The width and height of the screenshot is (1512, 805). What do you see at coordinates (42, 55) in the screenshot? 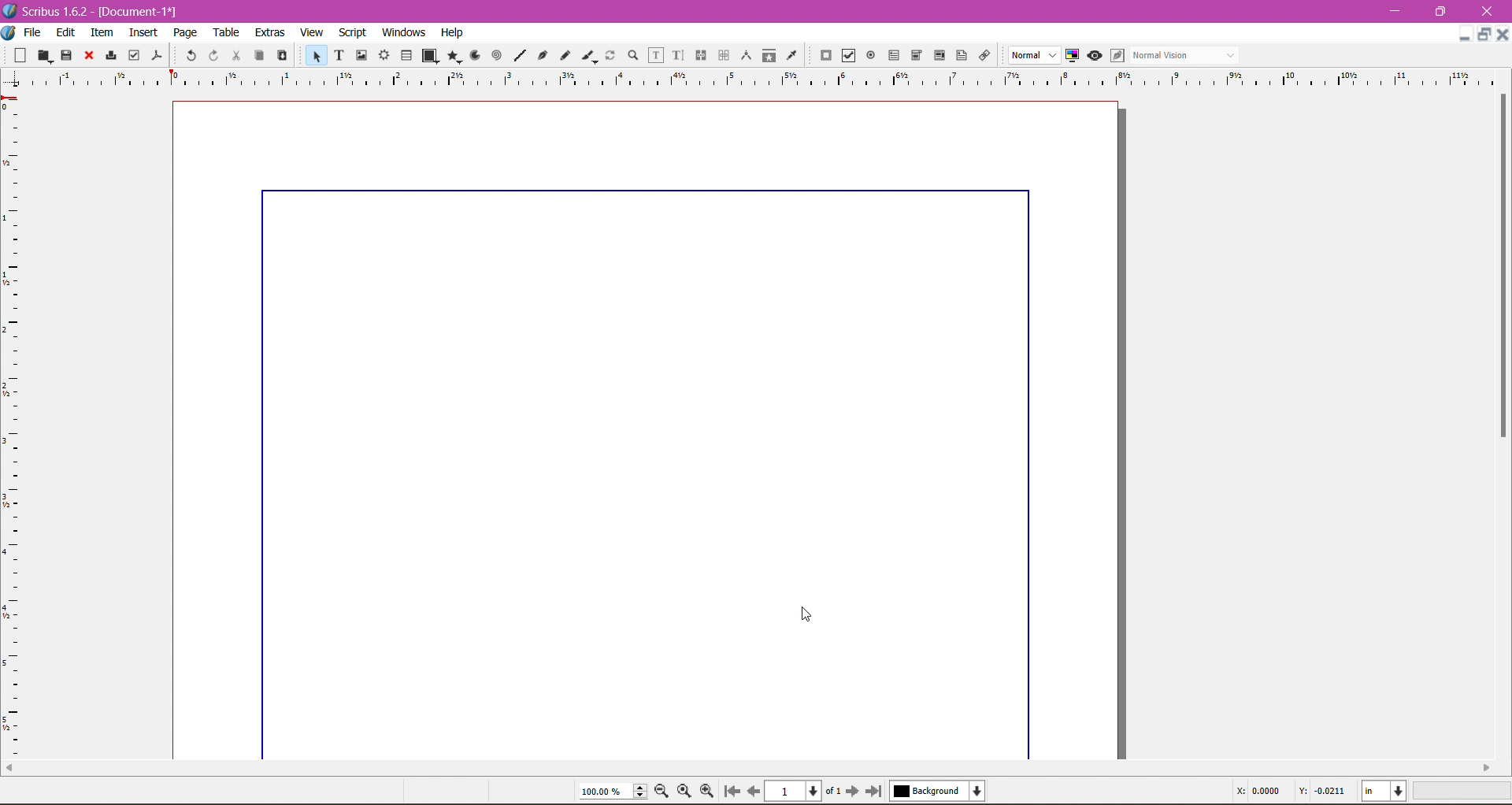
I see `Open` at bounding box center [42, 55].